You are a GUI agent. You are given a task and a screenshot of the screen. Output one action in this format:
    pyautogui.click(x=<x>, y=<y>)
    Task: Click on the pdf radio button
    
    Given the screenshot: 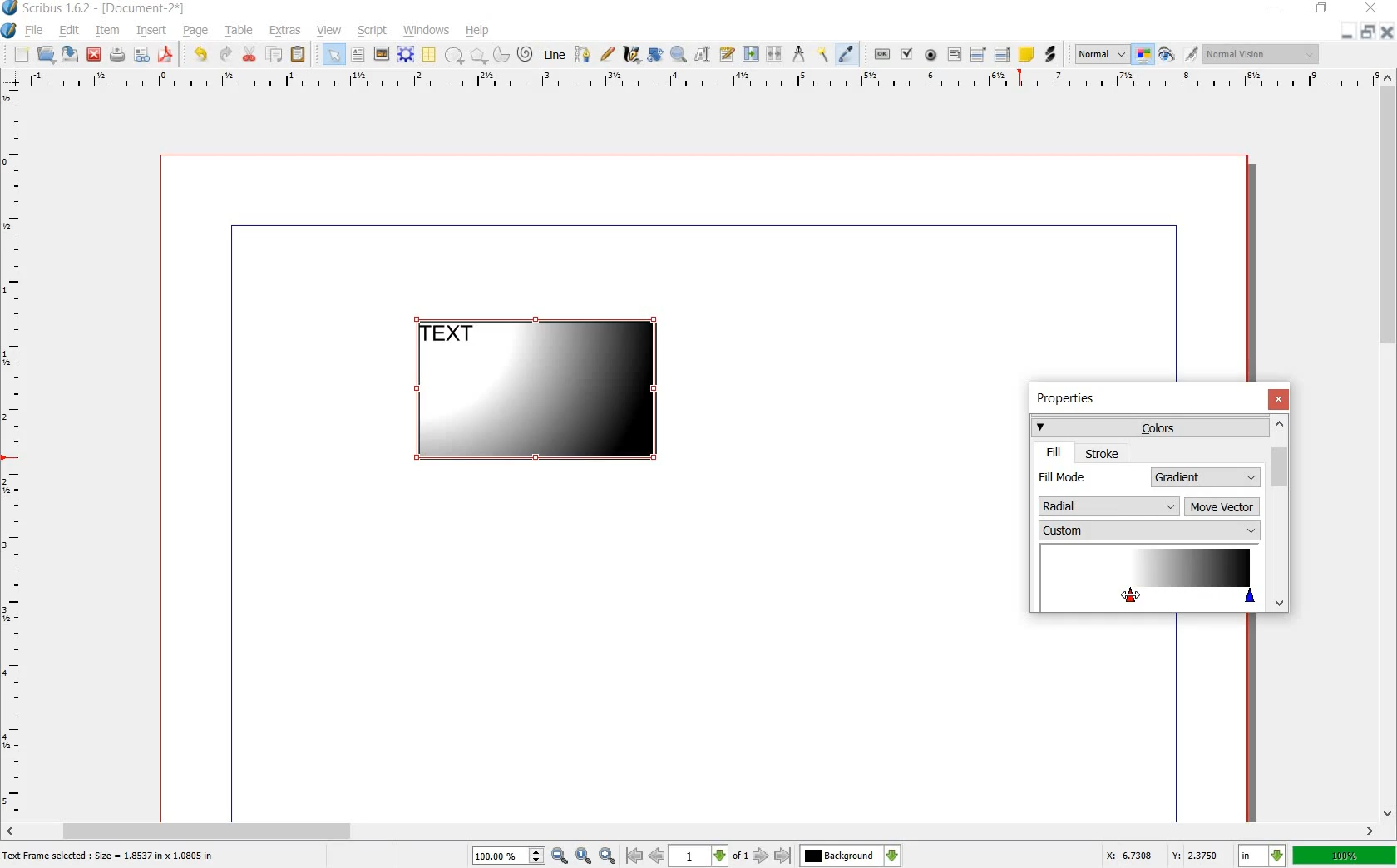 What is the action you would take?
    pyautogui.click(x=931, y=55)
    